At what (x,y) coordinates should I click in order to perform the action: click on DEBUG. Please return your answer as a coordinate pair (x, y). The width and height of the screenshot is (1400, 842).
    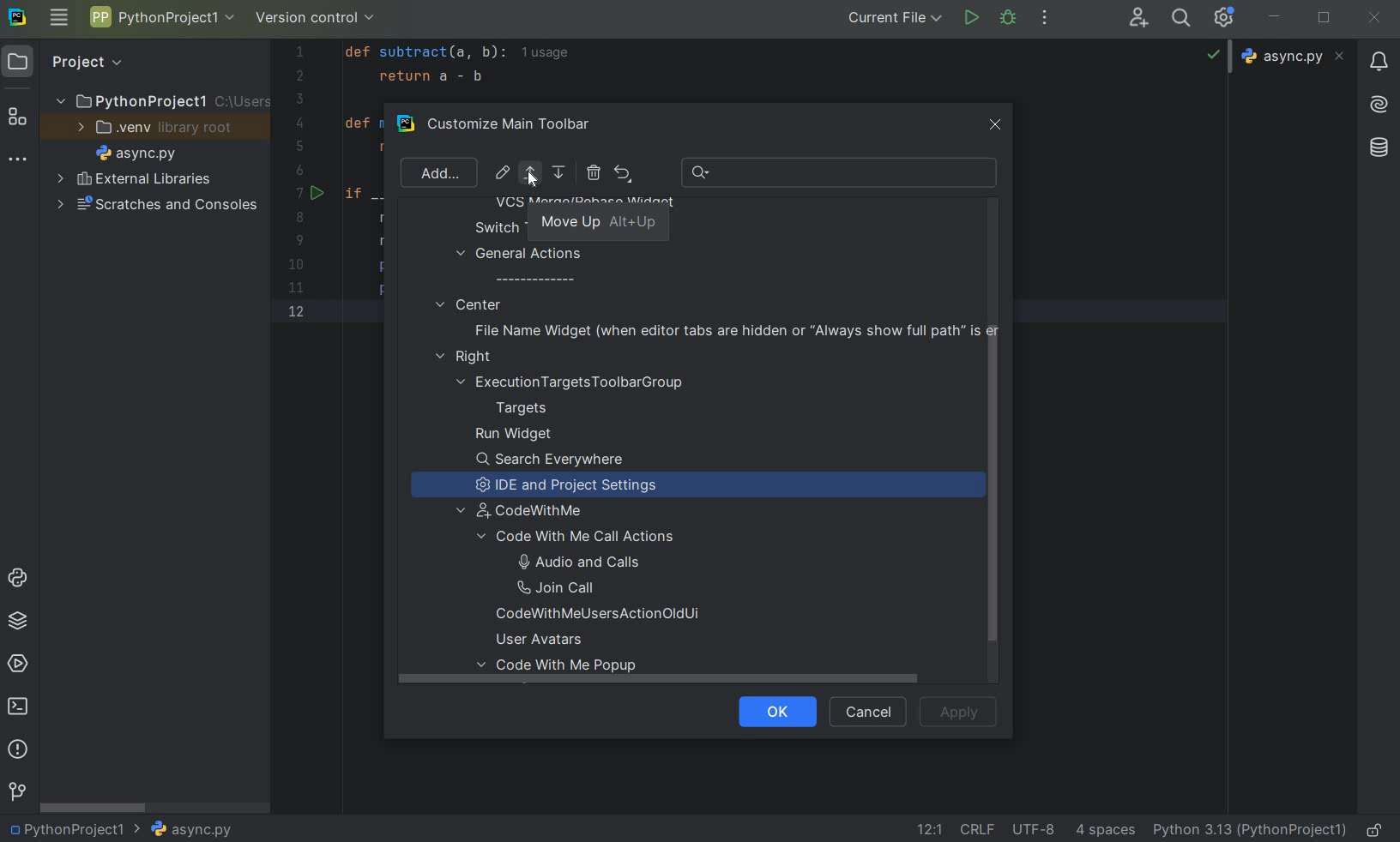
    Looking at the image, I should click on (1011, 21).